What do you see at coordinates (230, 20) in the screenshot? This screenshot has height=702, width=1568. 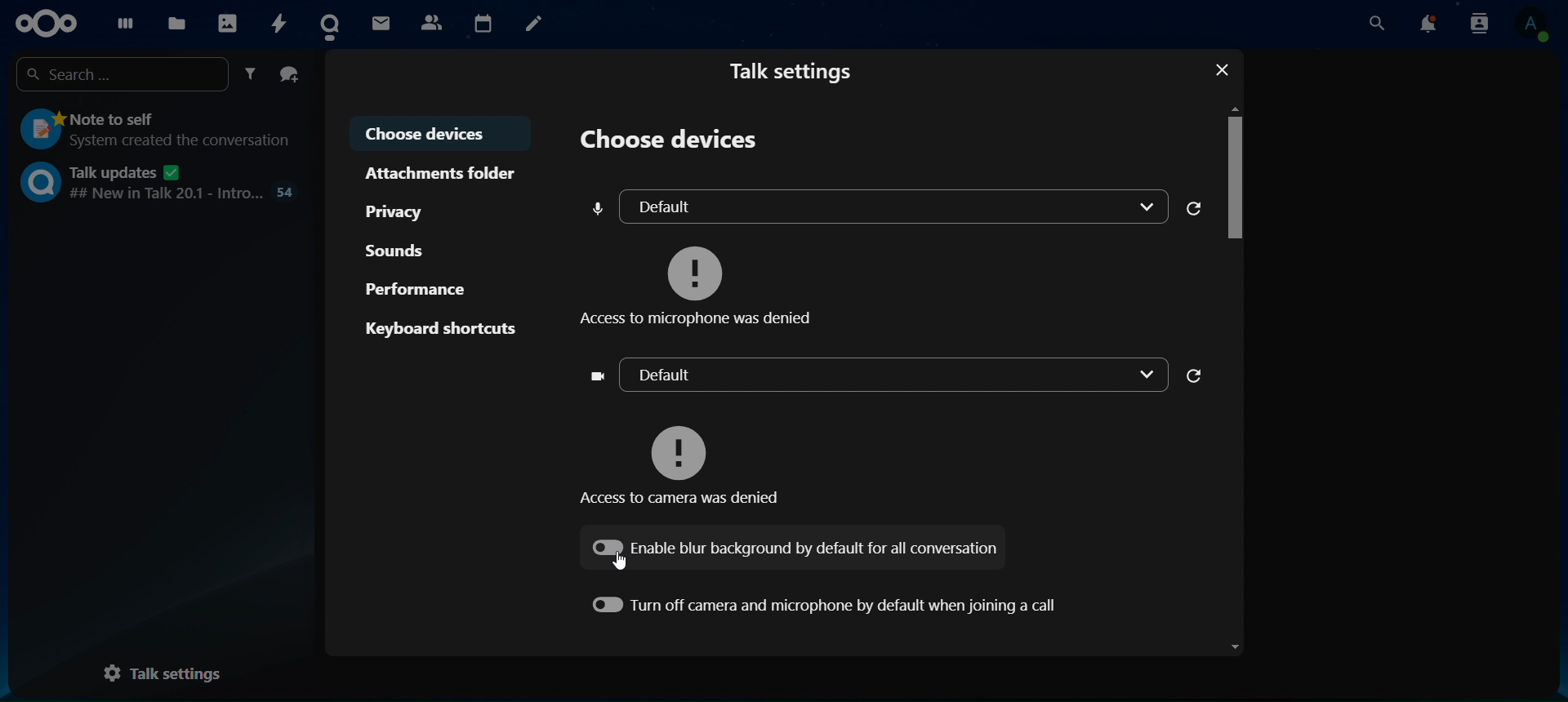 I see `photos` at bounding box center [230, 20].